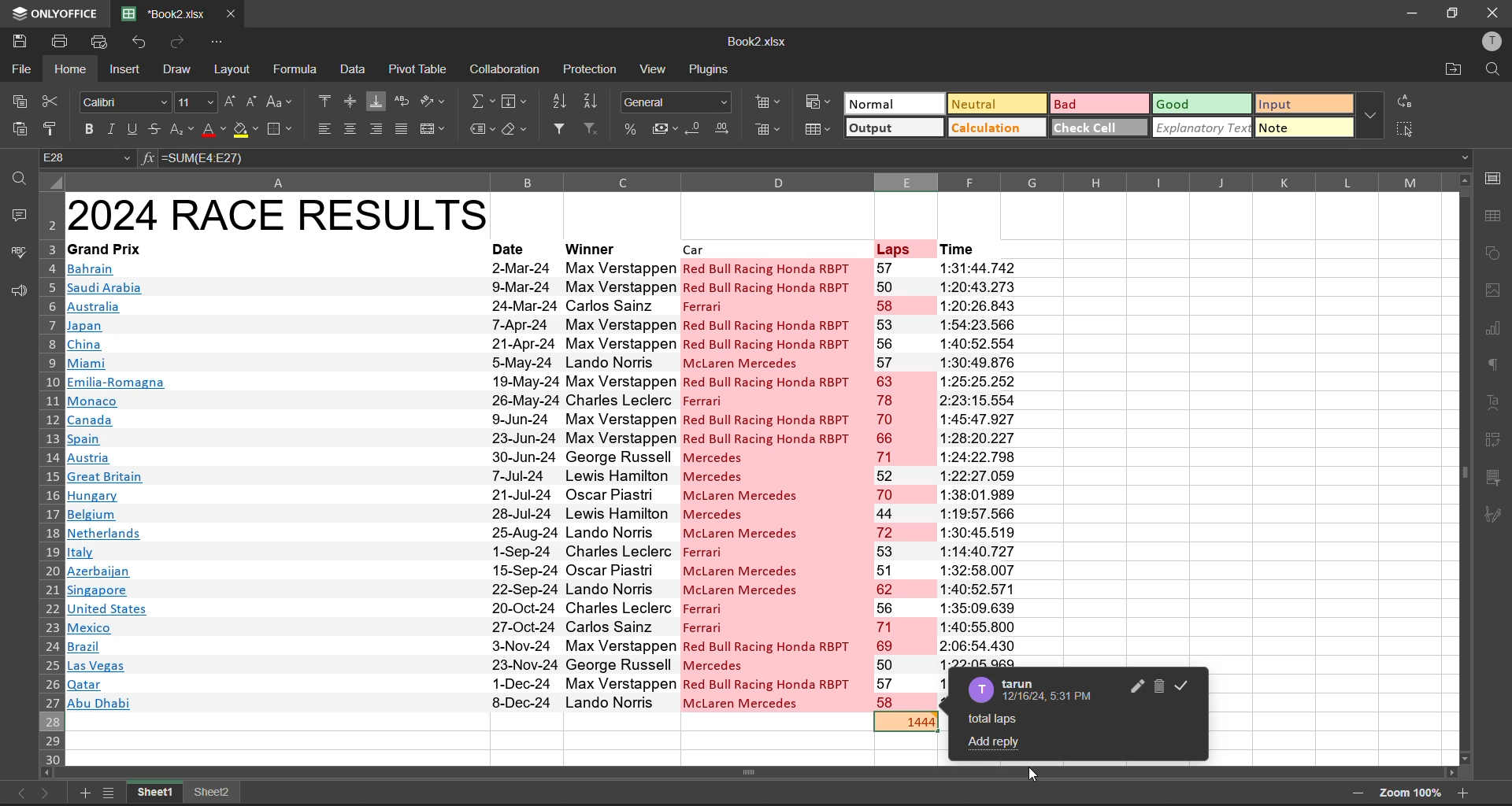 Image resolution: width=1512 pixels, height=806 pixels. I want to click on data, so click(351, 68).